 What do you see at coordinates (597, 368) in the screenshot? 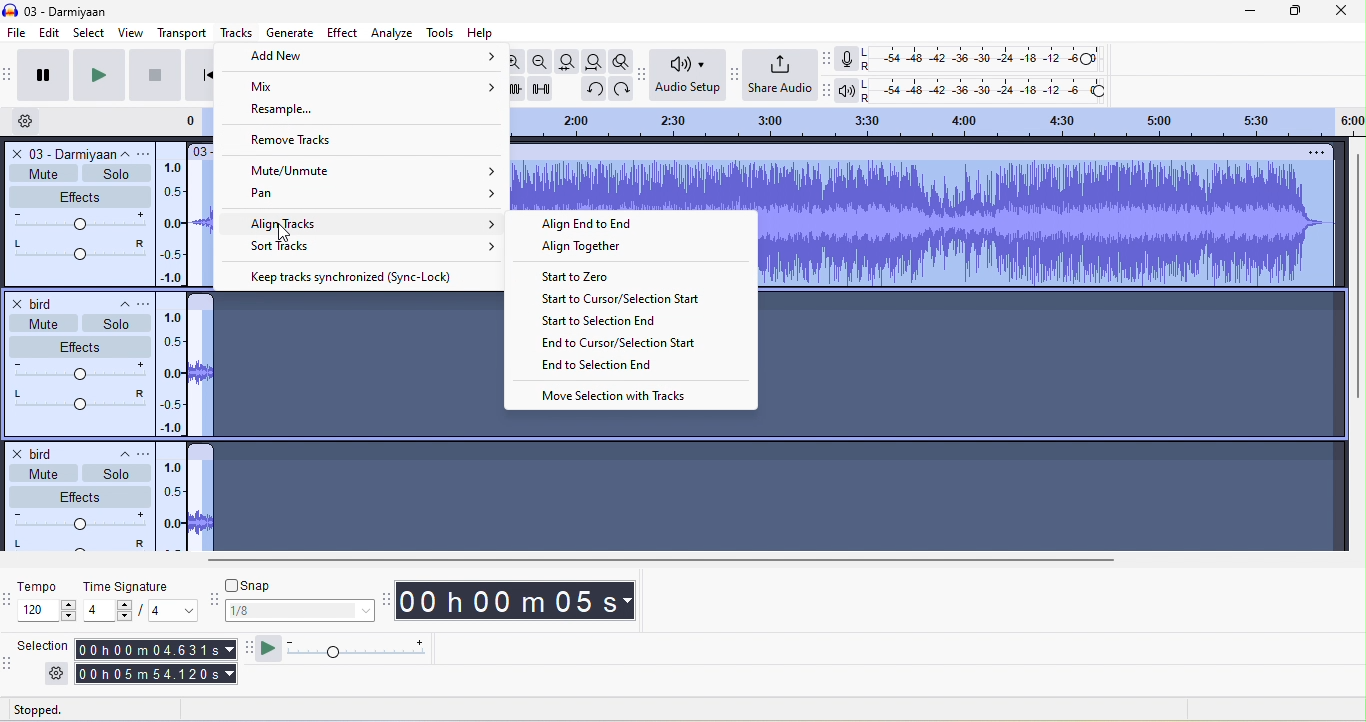
I see `end to selection end` at bounding box center [597, 368].